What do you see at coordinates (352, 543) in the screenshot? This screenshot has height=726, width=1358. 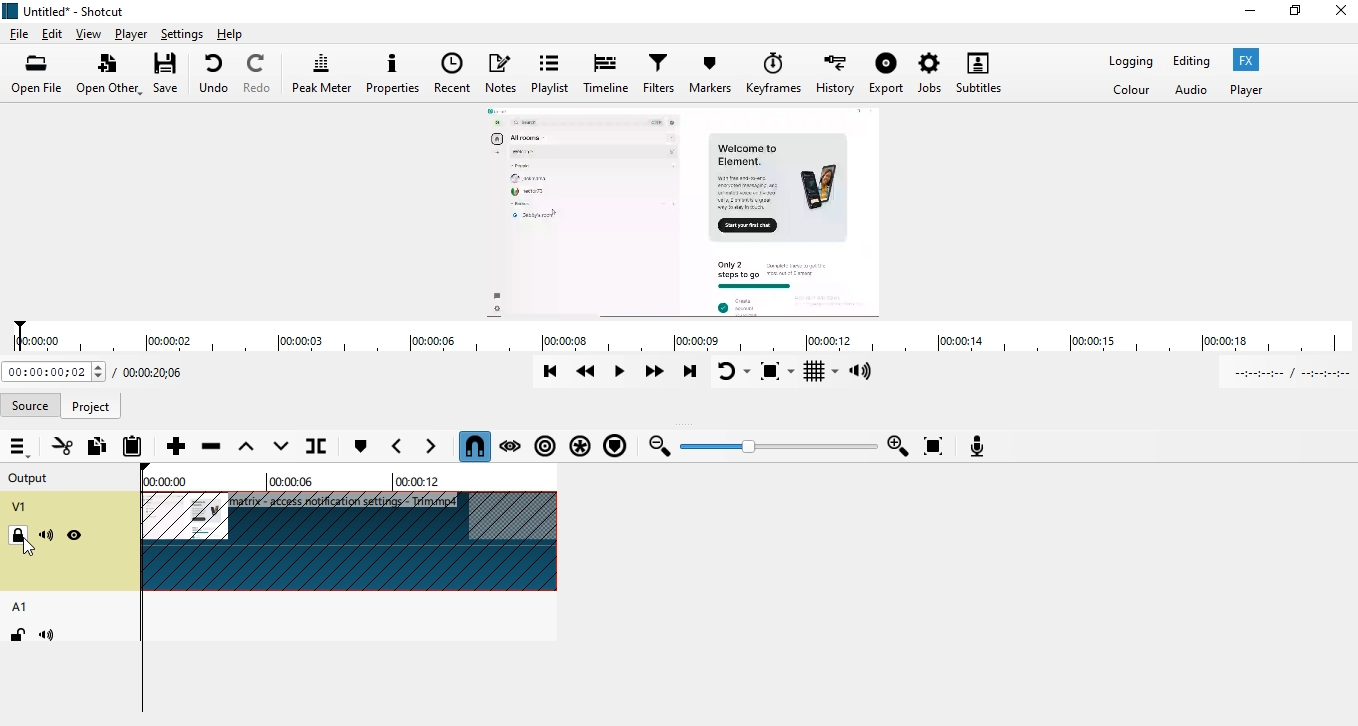 I see `locked video` at bounding box center [352, 543].